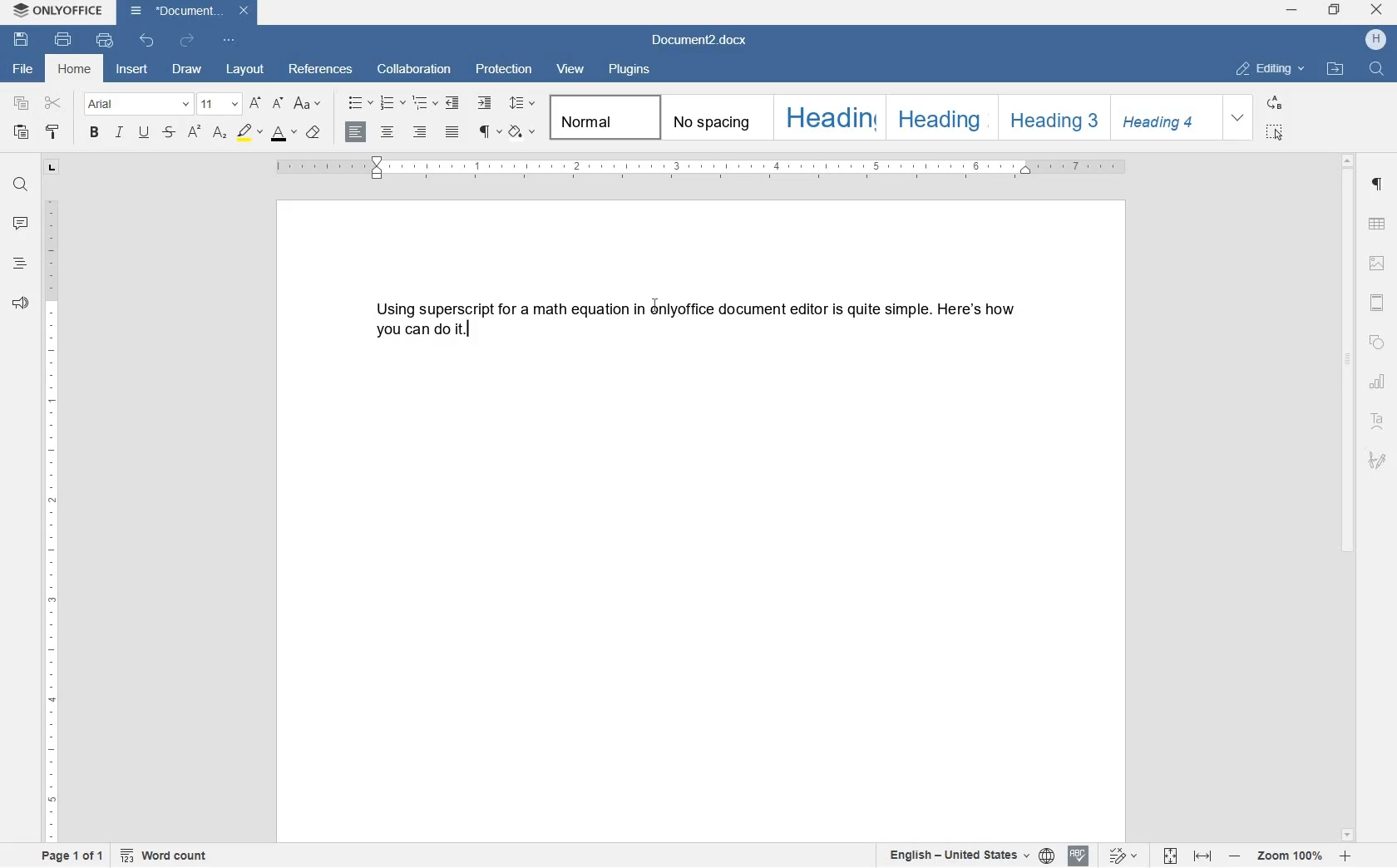 This screenshot has height=868, width=1397. Describe the element at coordinates (1118, 856) in the screenshot. I see `track changes` at that location.